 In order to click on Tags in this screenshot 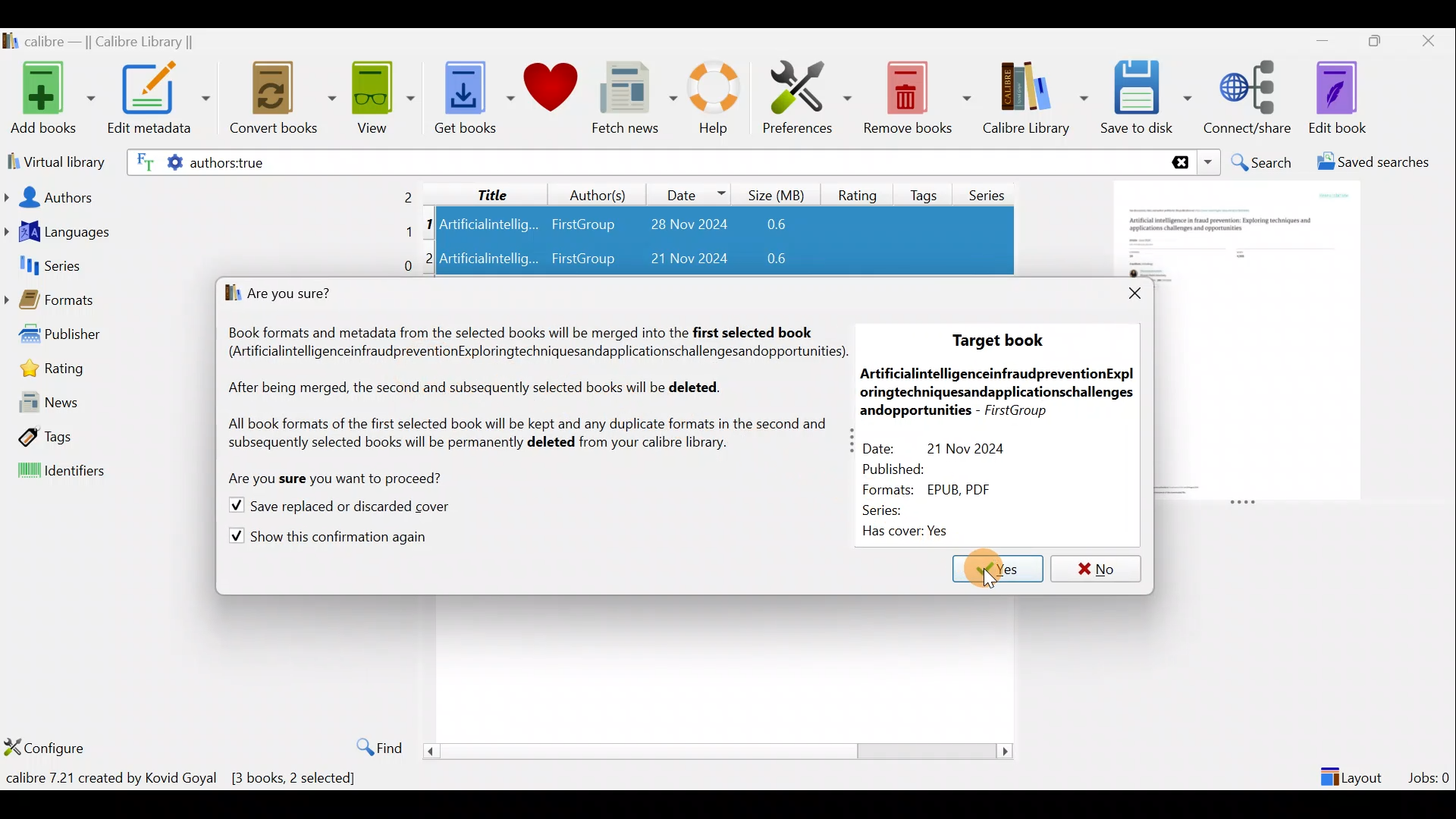, I will do `click(105, 435)`.